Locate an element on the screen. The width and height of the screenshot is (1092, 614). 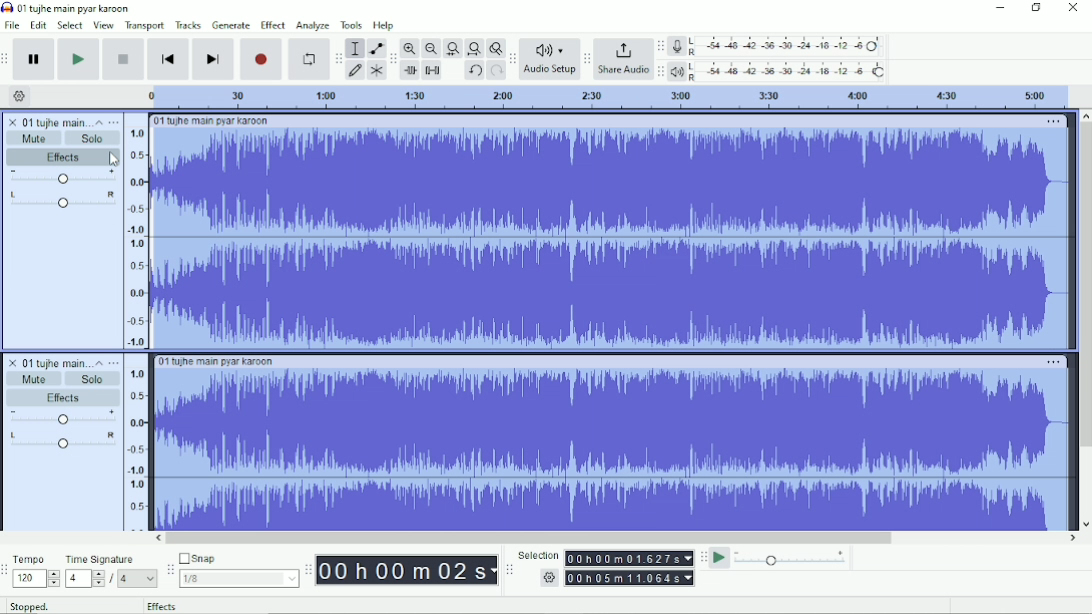
Help is located at coordinates (385, 25).